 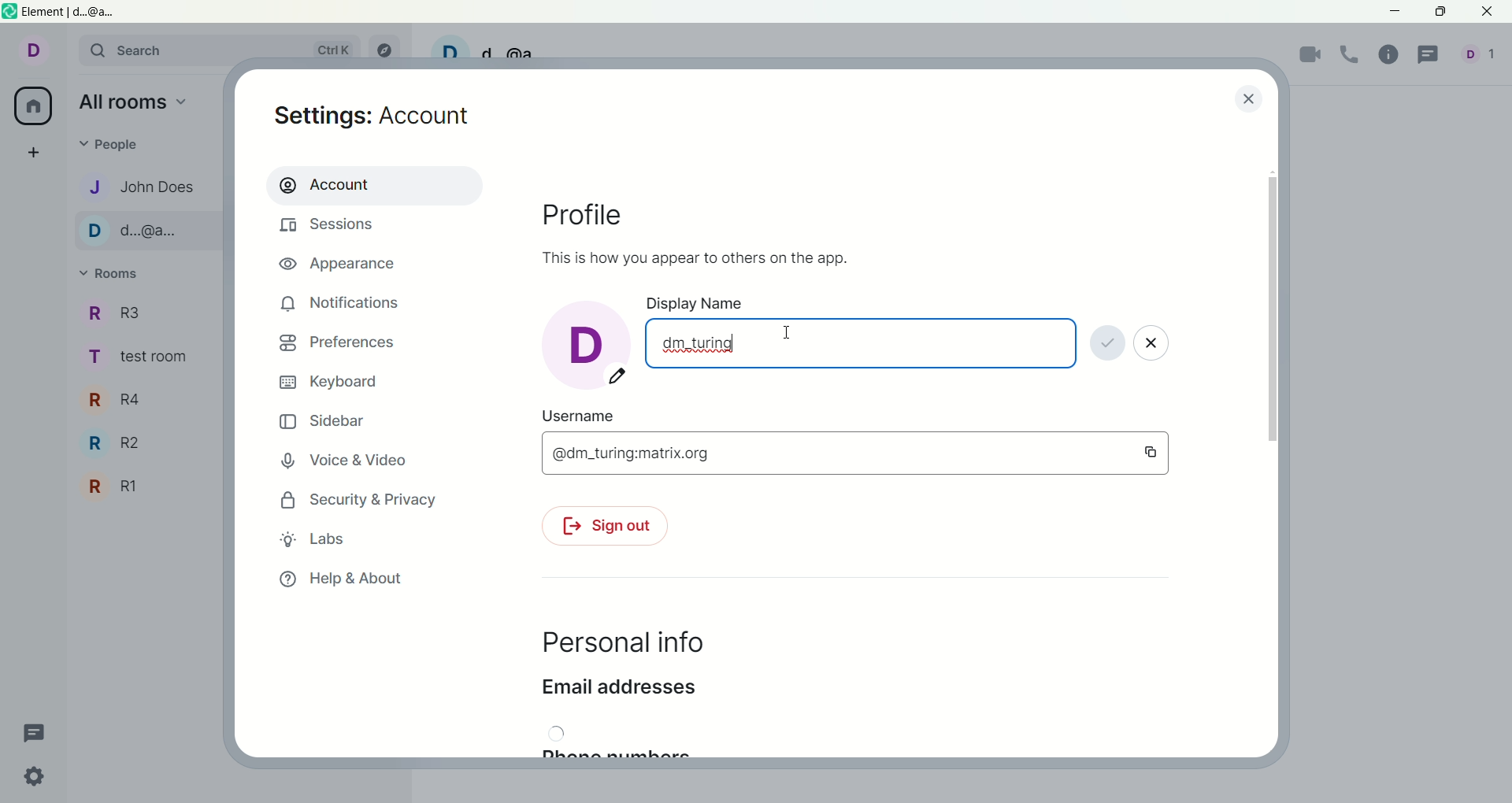 What do you see at coordinates (120, 146) in the screenshot?
I see `people` at bounding box center [120, 146].